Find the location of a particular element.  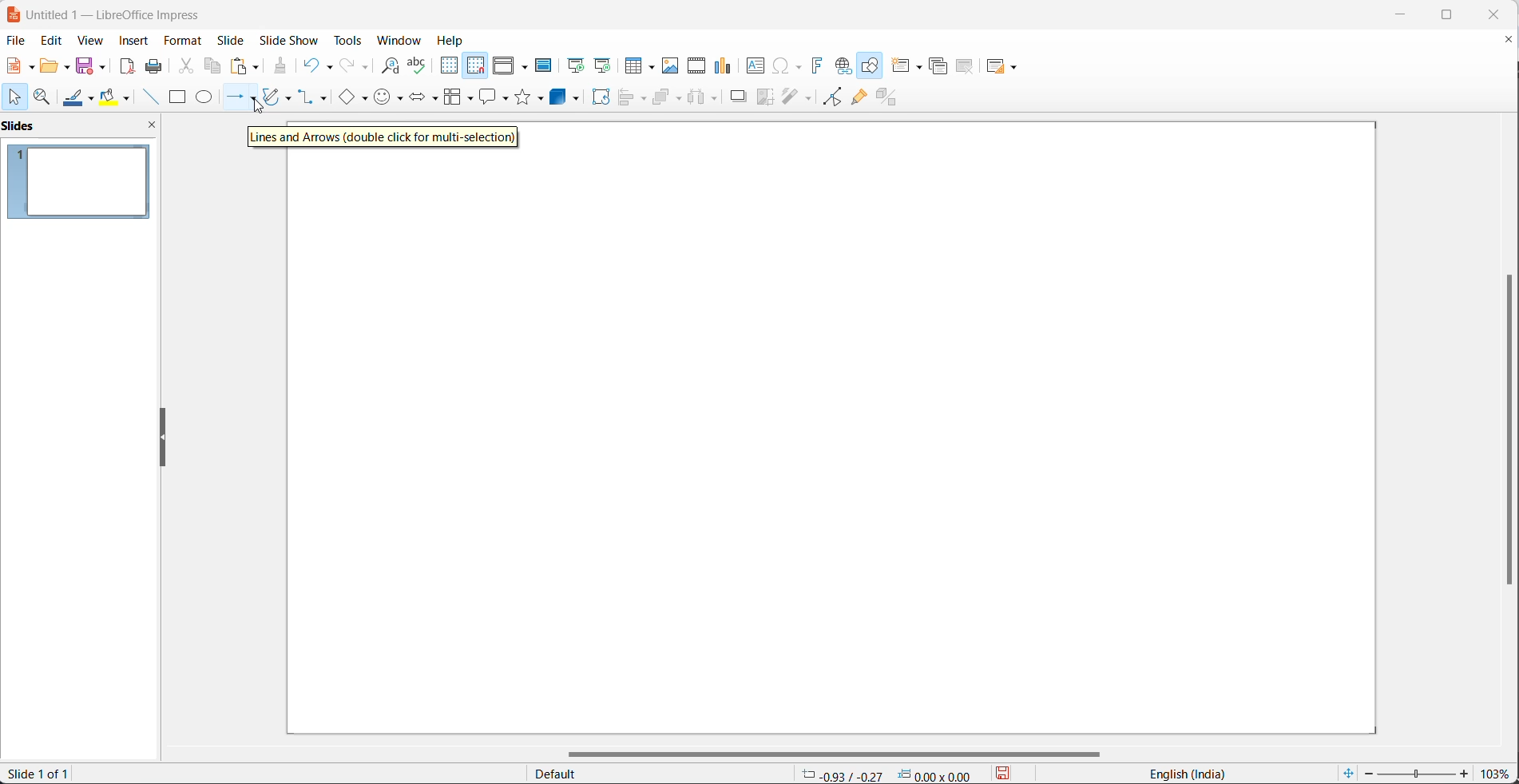

start from current slide is located at coordinates (601, 65).